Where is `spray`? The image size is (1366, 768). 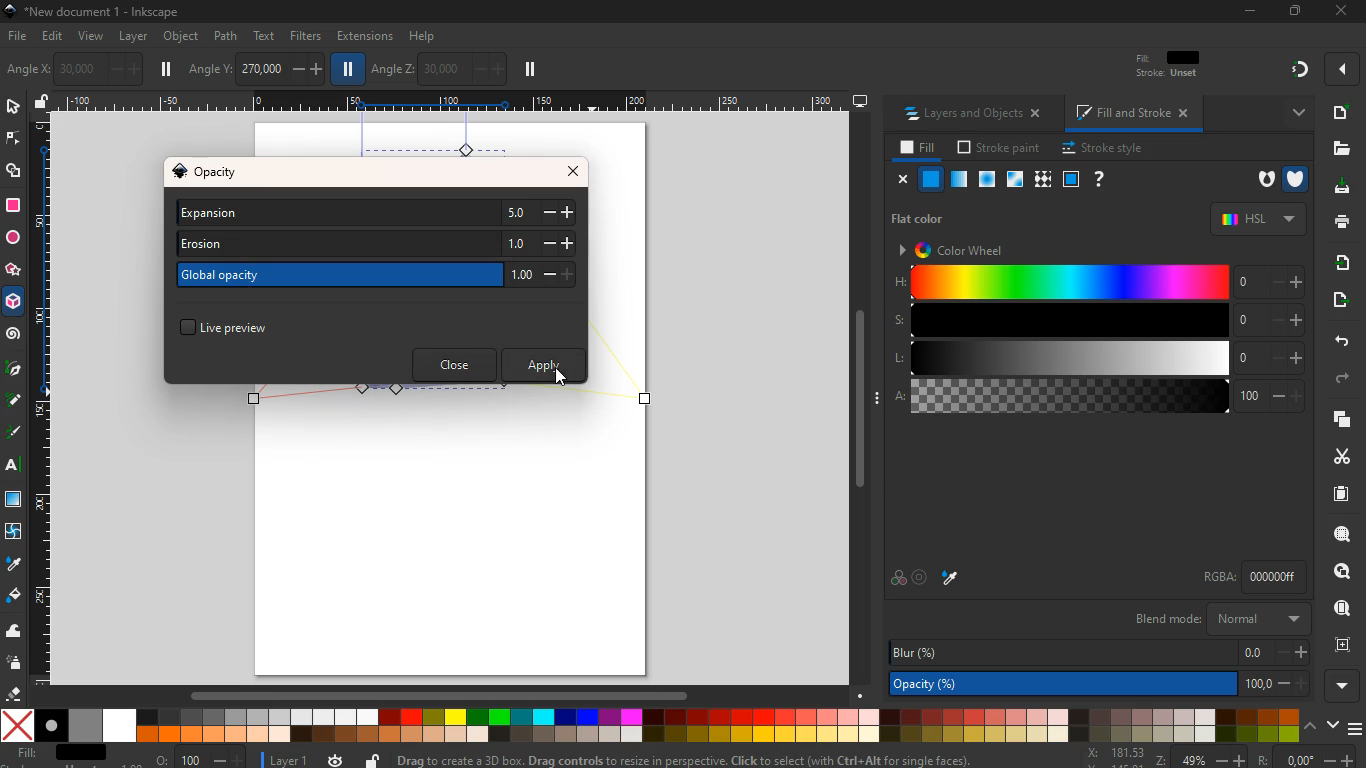 spray is located at coordinates (15, 664).